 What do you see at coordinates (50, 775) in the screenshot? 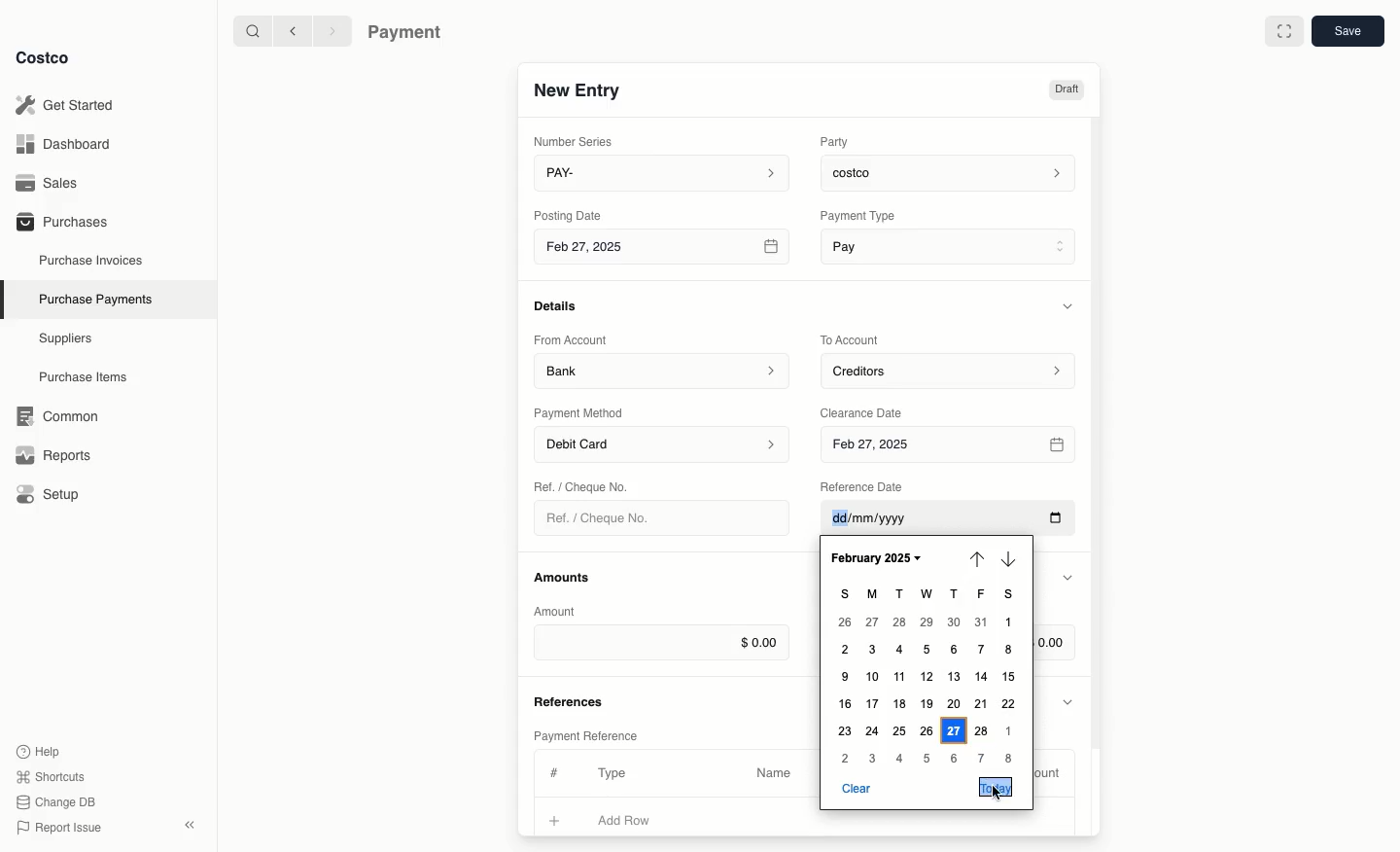
I see `Shortcuts` at bounding box center [50, 775].